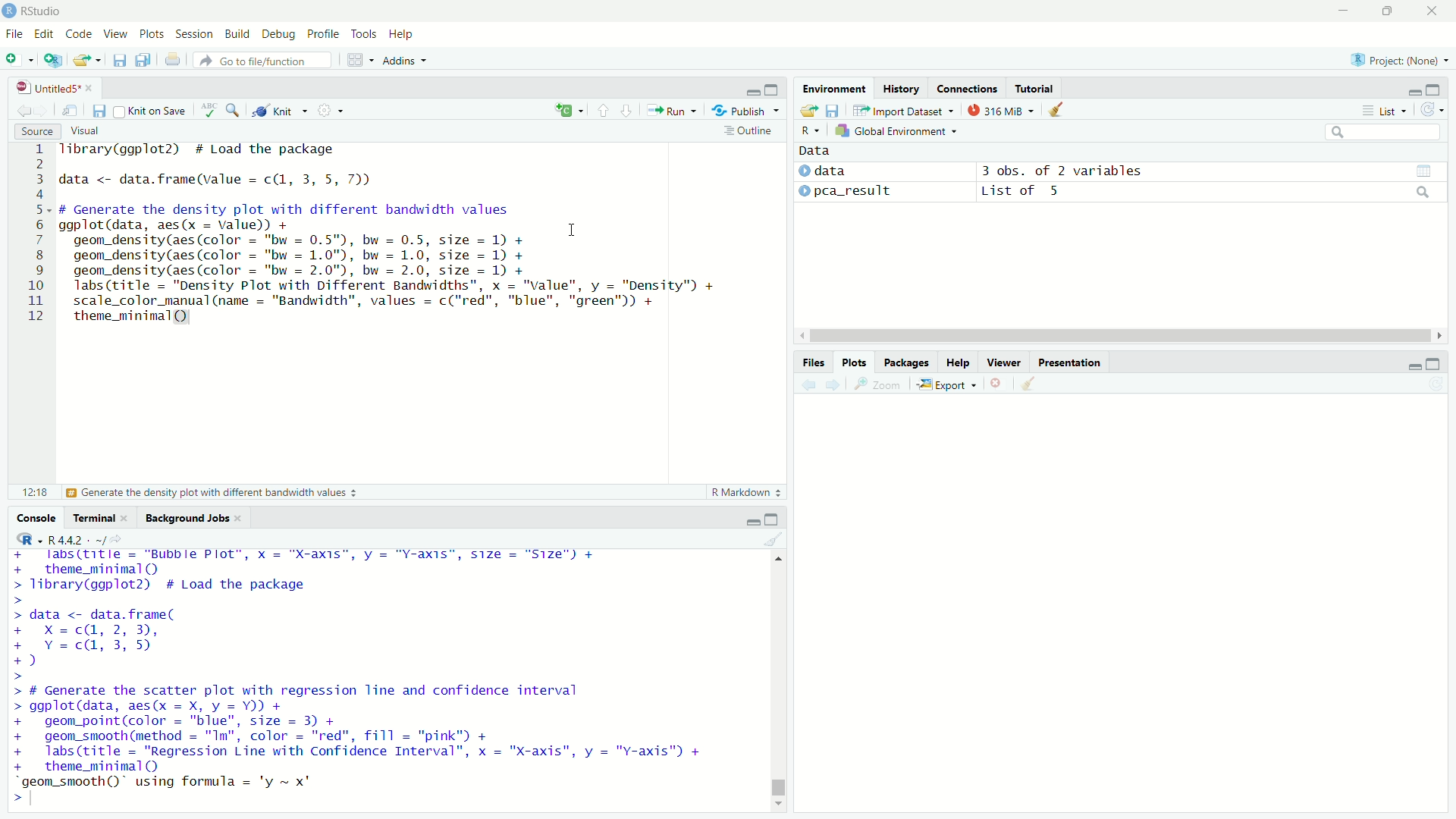 The image size is (1456, 819). Describe the element at coordinates (774, 539) in the screenshot. I see `Clear console` at that location.